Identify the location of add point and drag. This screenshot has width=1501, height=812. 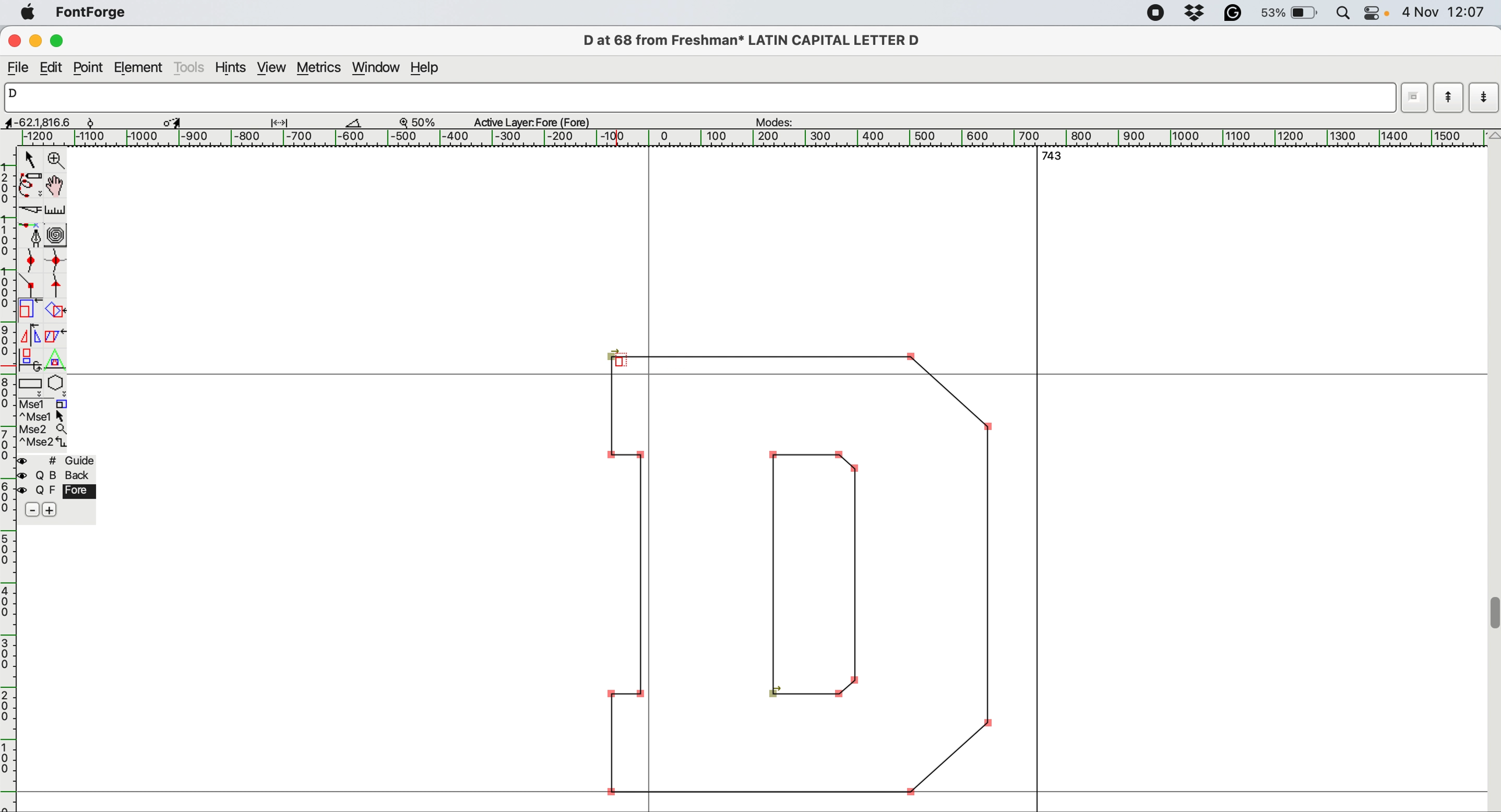
(29, 234).